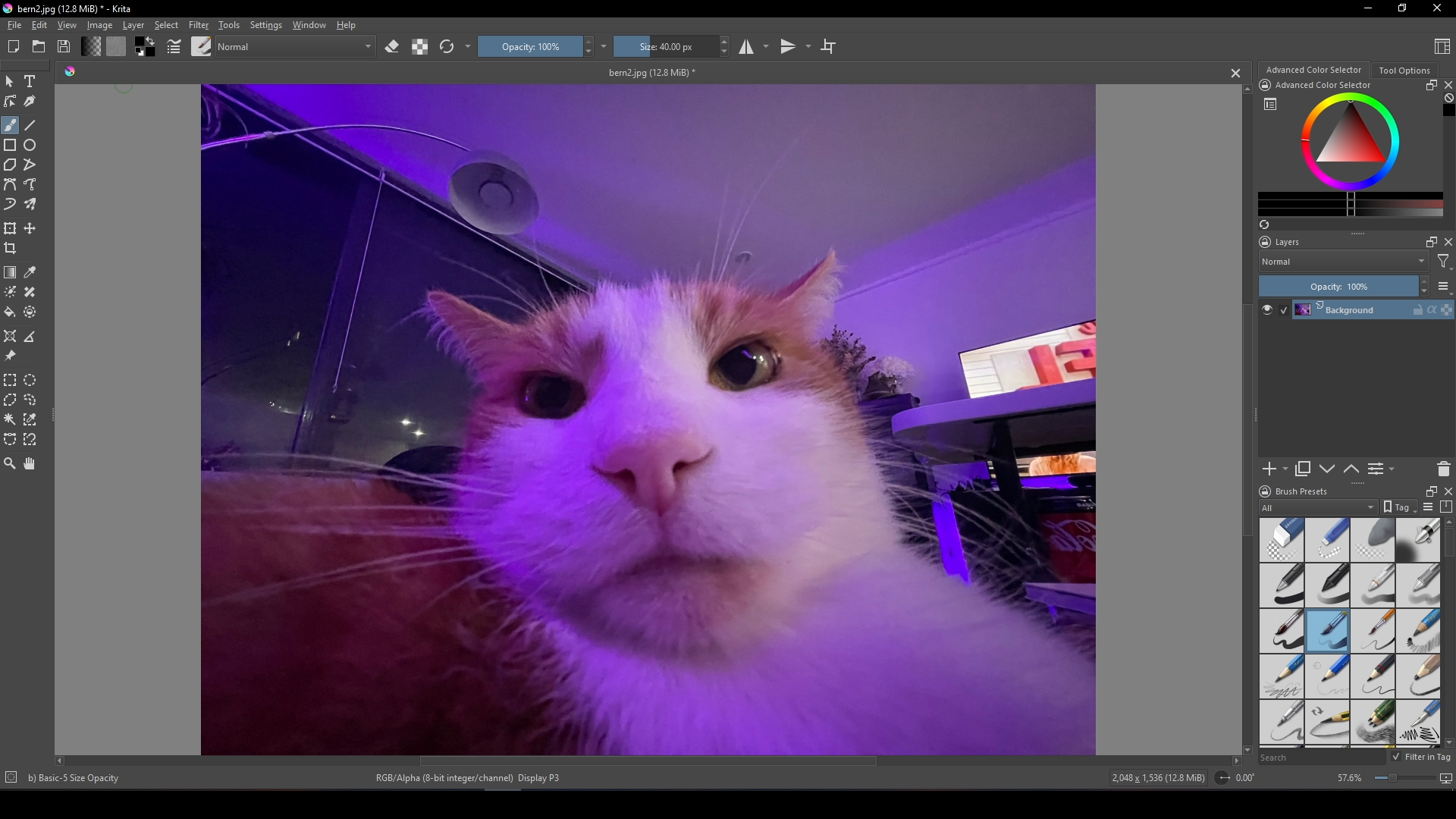 This screenshot has height=819, width=1456. I want to click on Fill gradients, so click(90, 45).